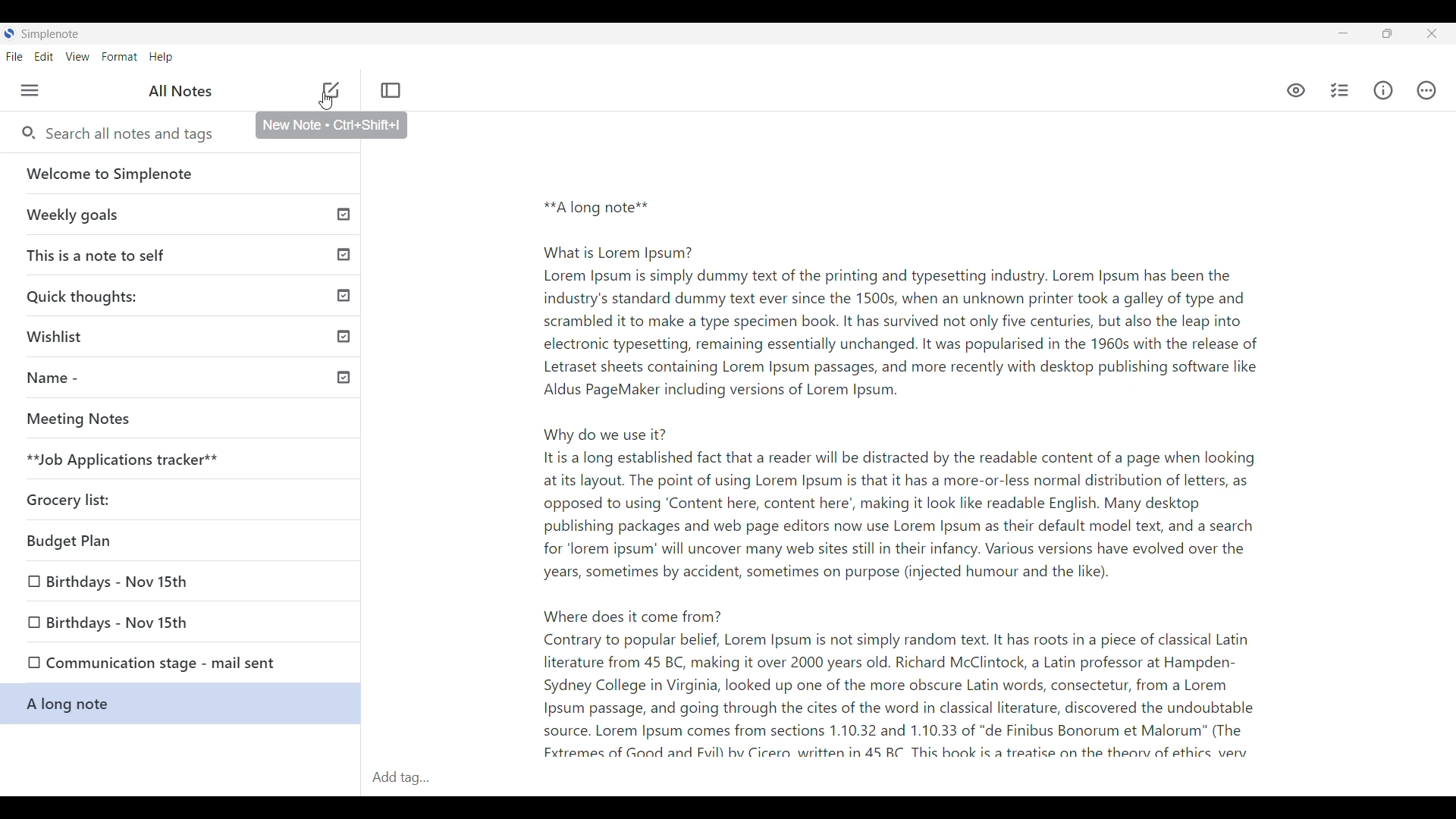 Image resolution: width=1456 pixels, height=819 pixels. What do you see at coordinates (108, 497) in the screenshot?
I see `Grocery list` at bounding box center [108, 497].